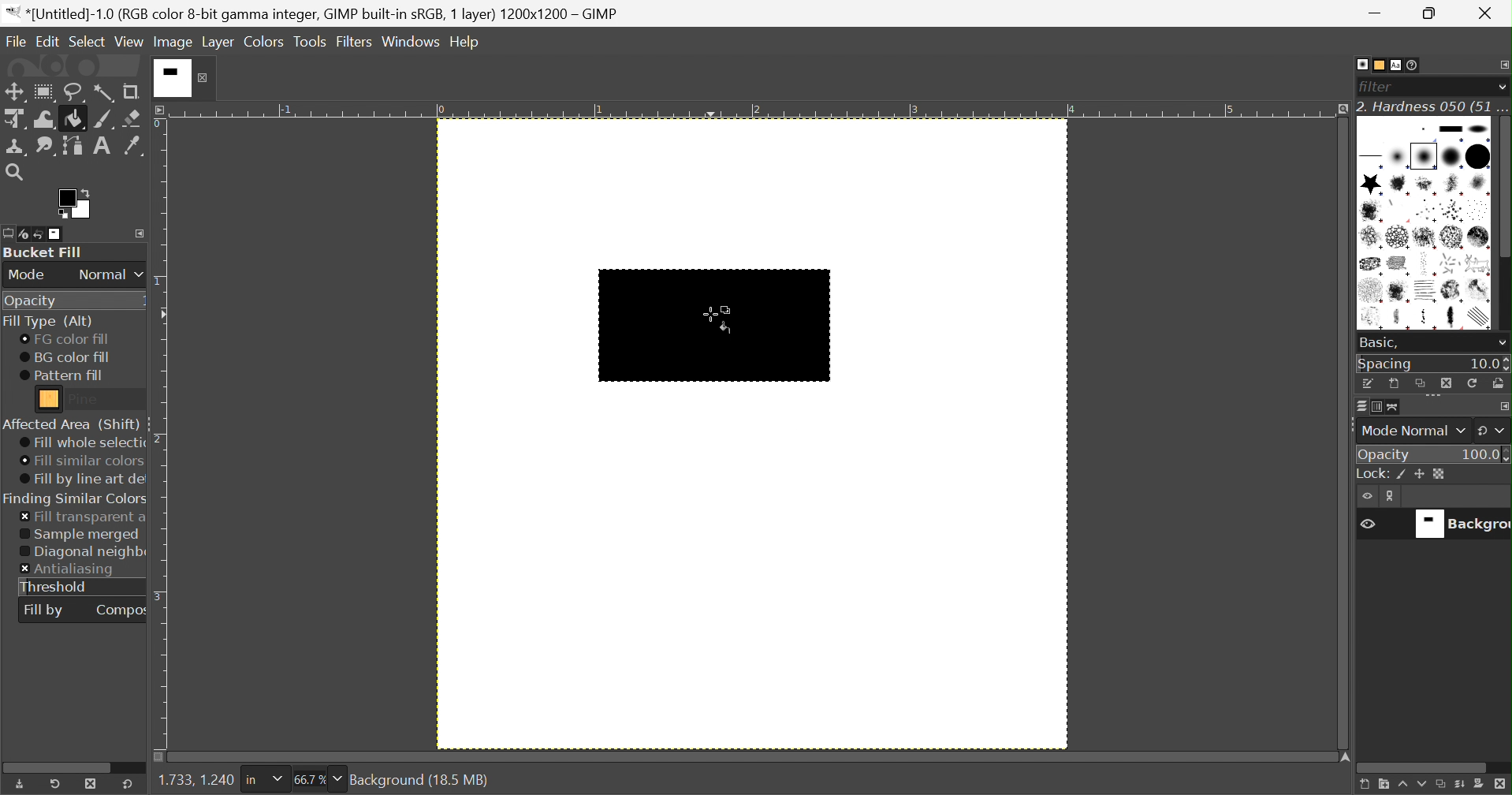 The image size is (1512, 795). I want to click on Free Select Tool, so click(75, 93).